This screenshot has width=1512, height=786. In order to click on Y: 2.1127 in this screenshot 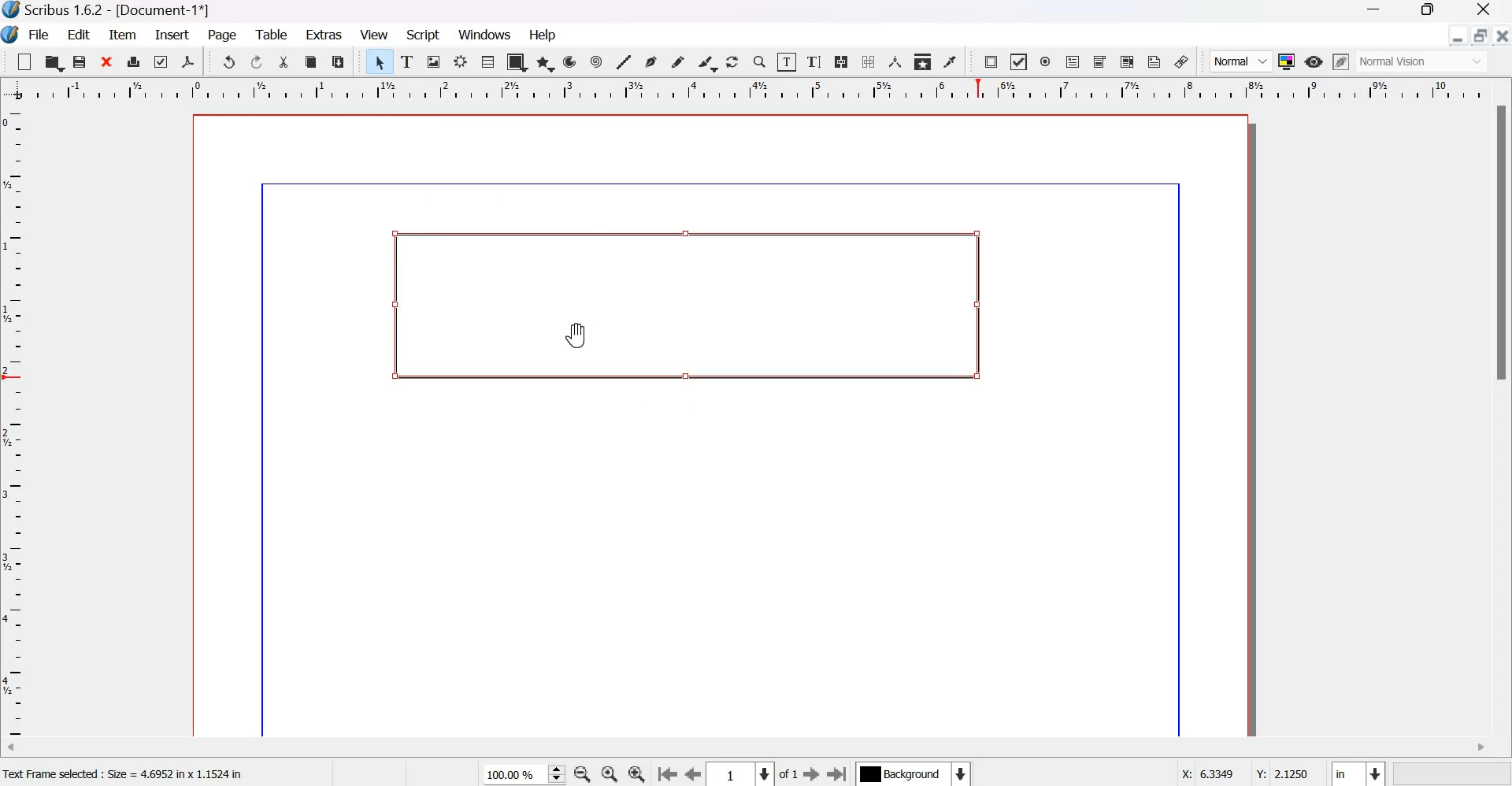, I will do `click(1280, 771)`.